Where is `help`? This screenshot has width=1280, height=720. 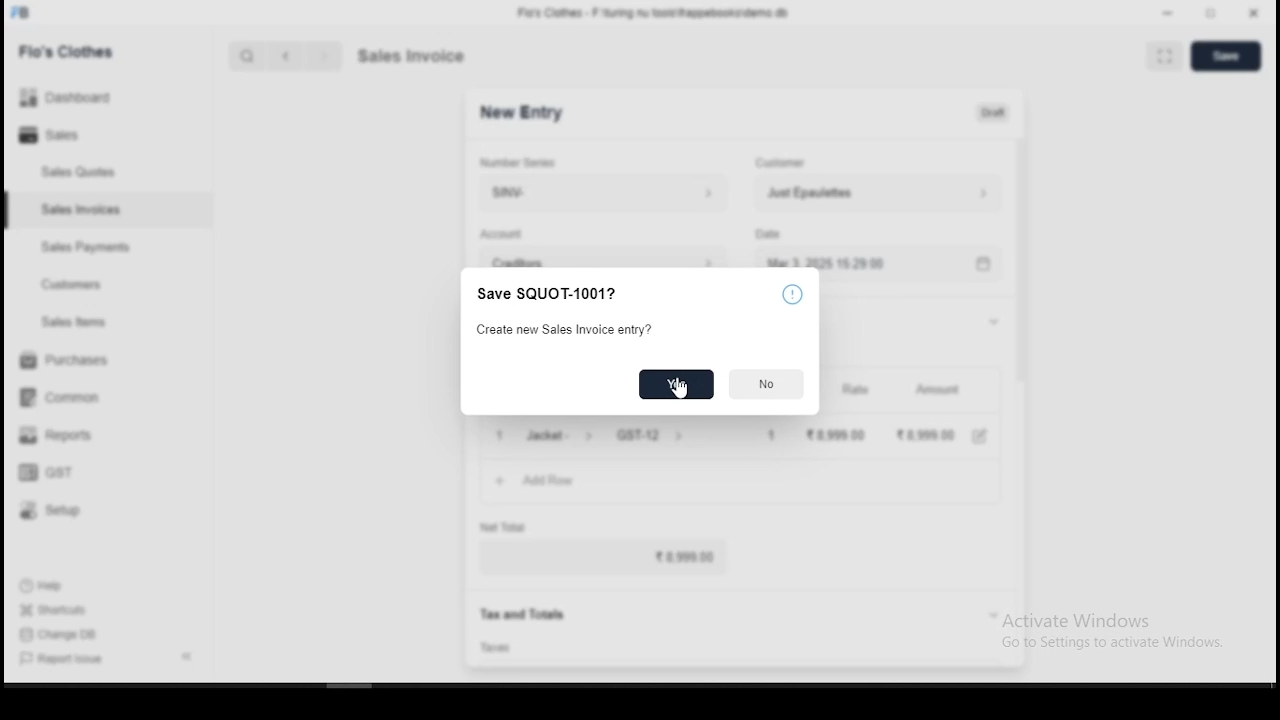
help is located at coordinates (783, 295).